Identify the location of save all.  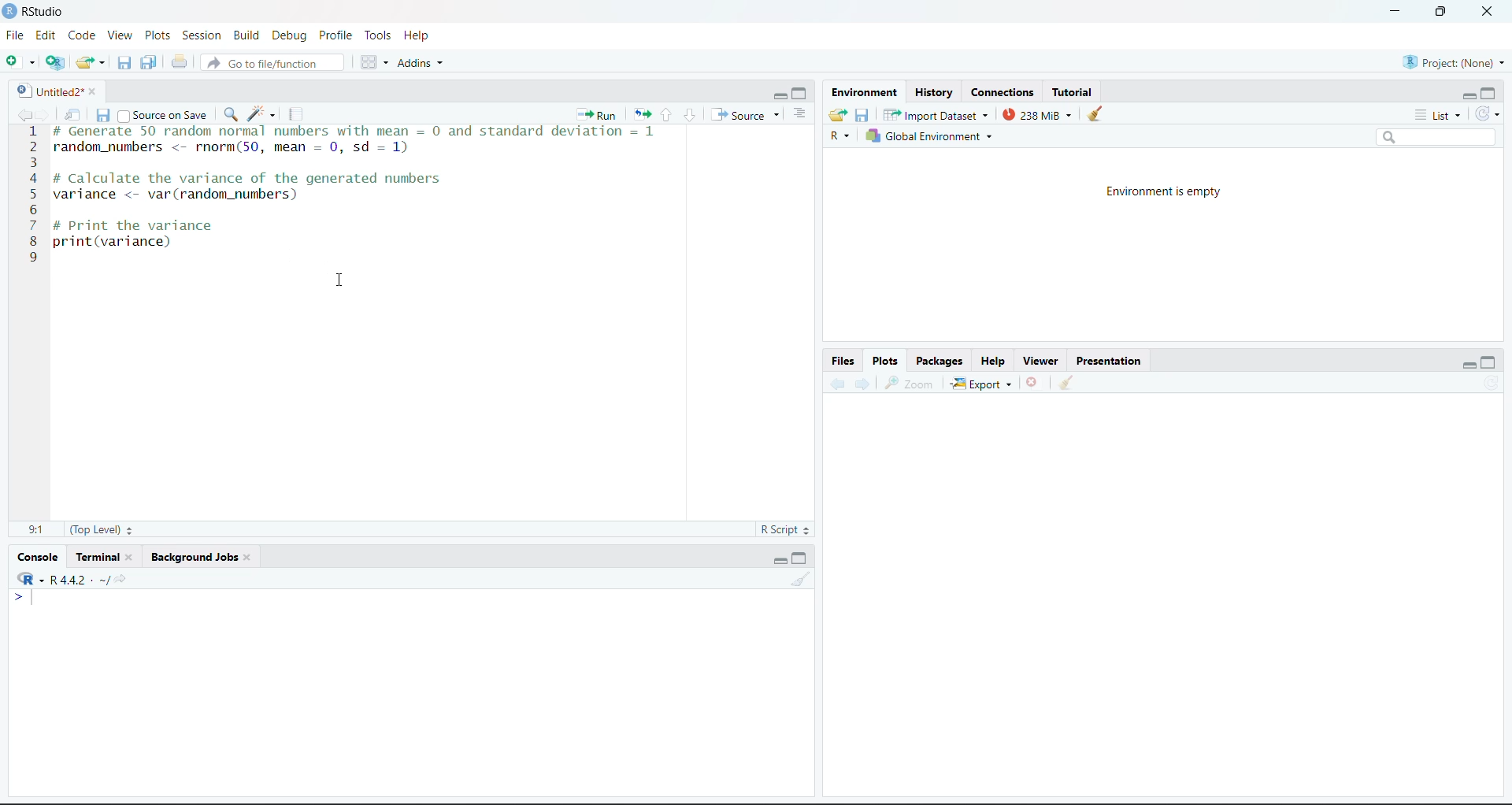
(149, 62).